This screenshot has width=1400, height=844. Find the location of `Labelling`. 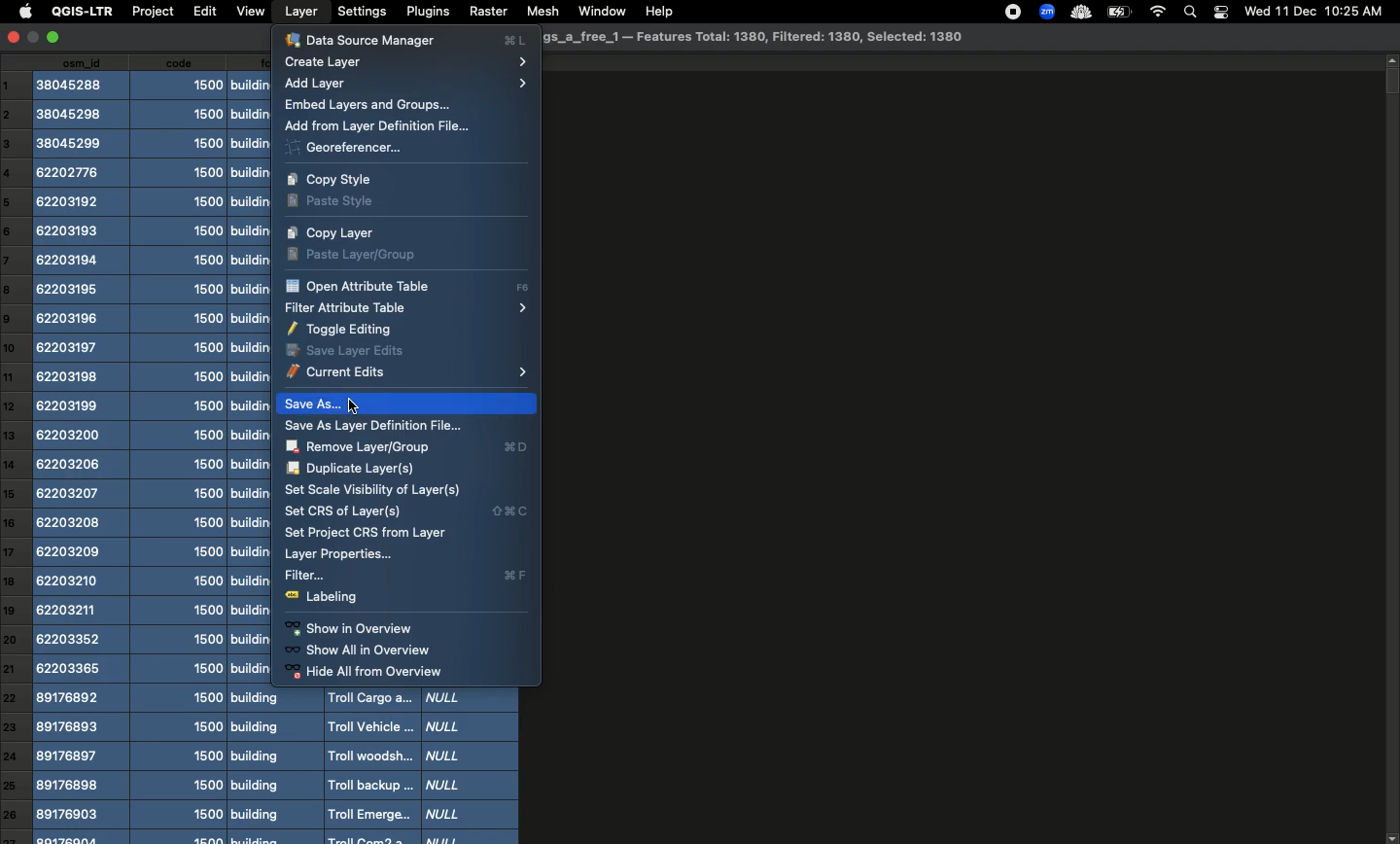

Labelling is located at coordinates (328, 598).